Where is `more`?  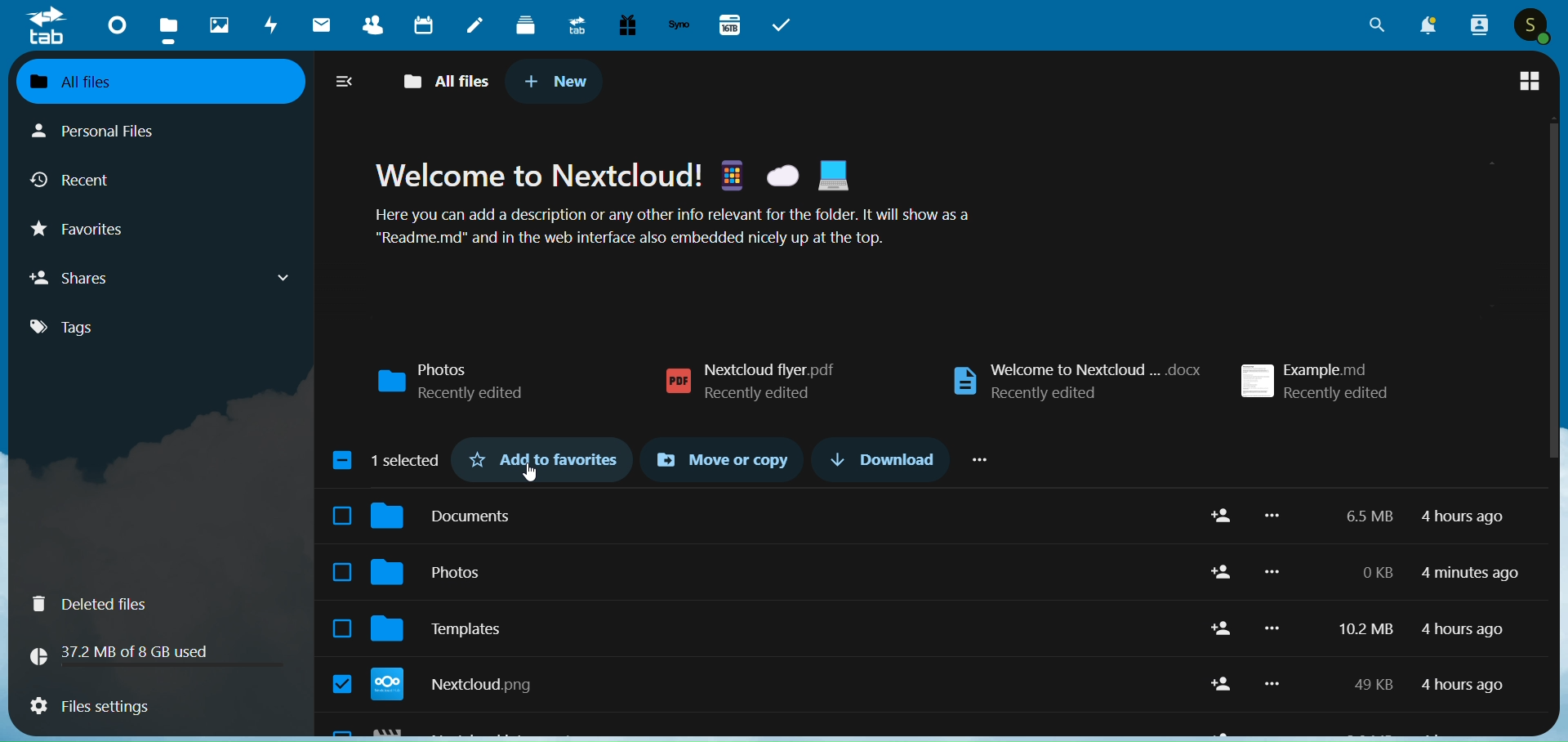 more is located at coordinates (982, 458).